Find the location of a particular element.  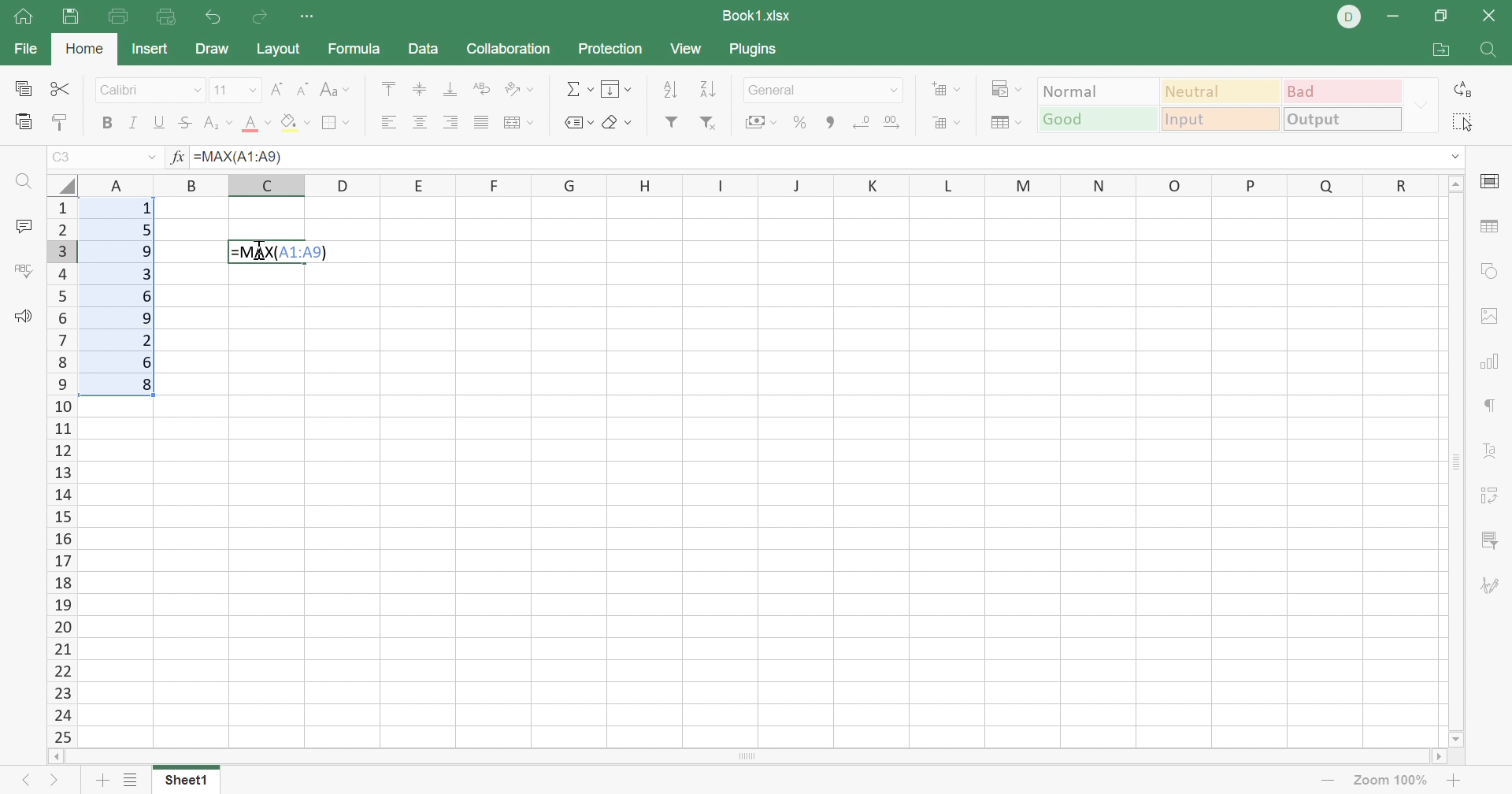

Feedback and support is located at coordinates (27, 315).